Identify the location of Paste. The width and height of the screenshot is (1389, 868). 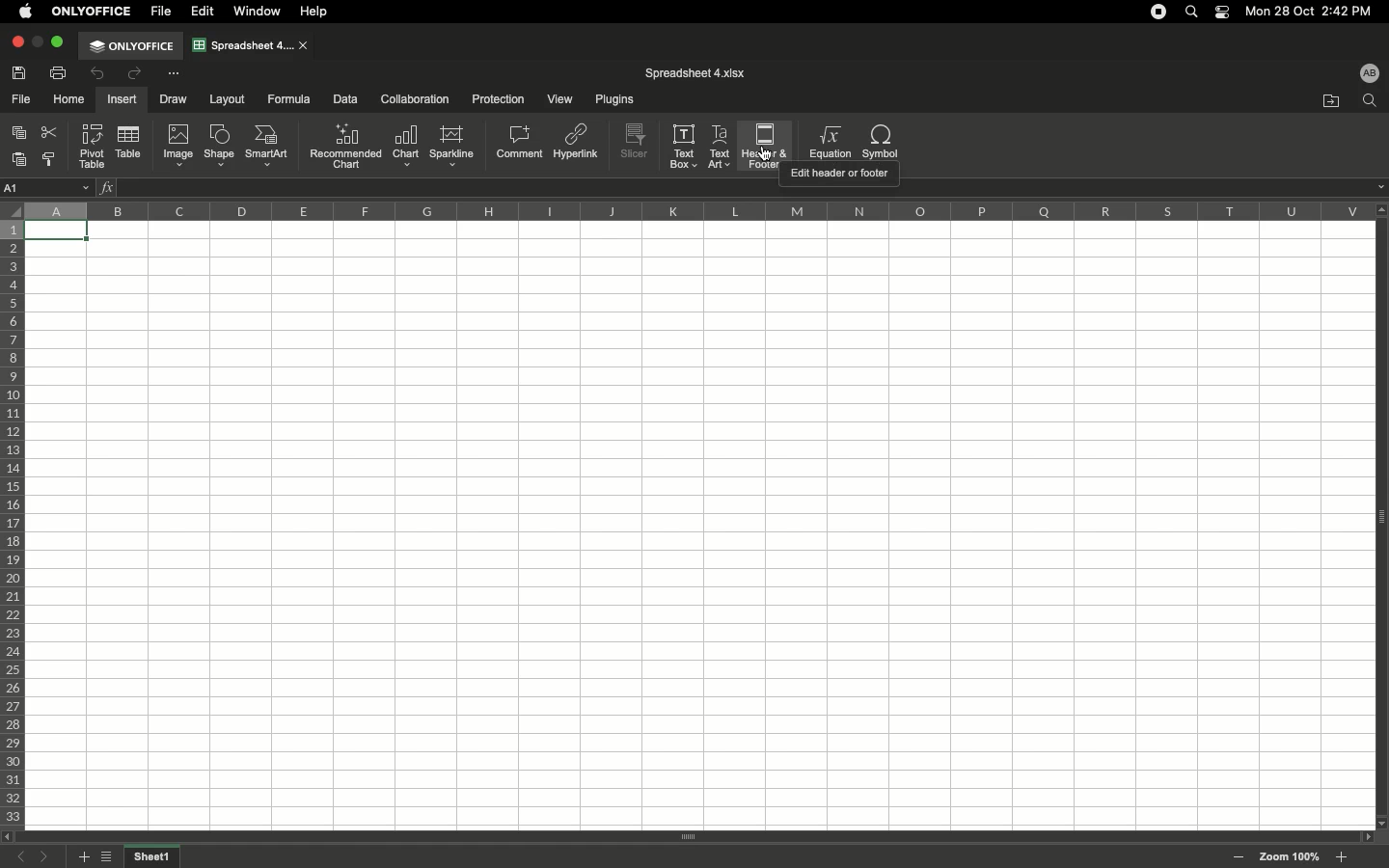
(21, 159).